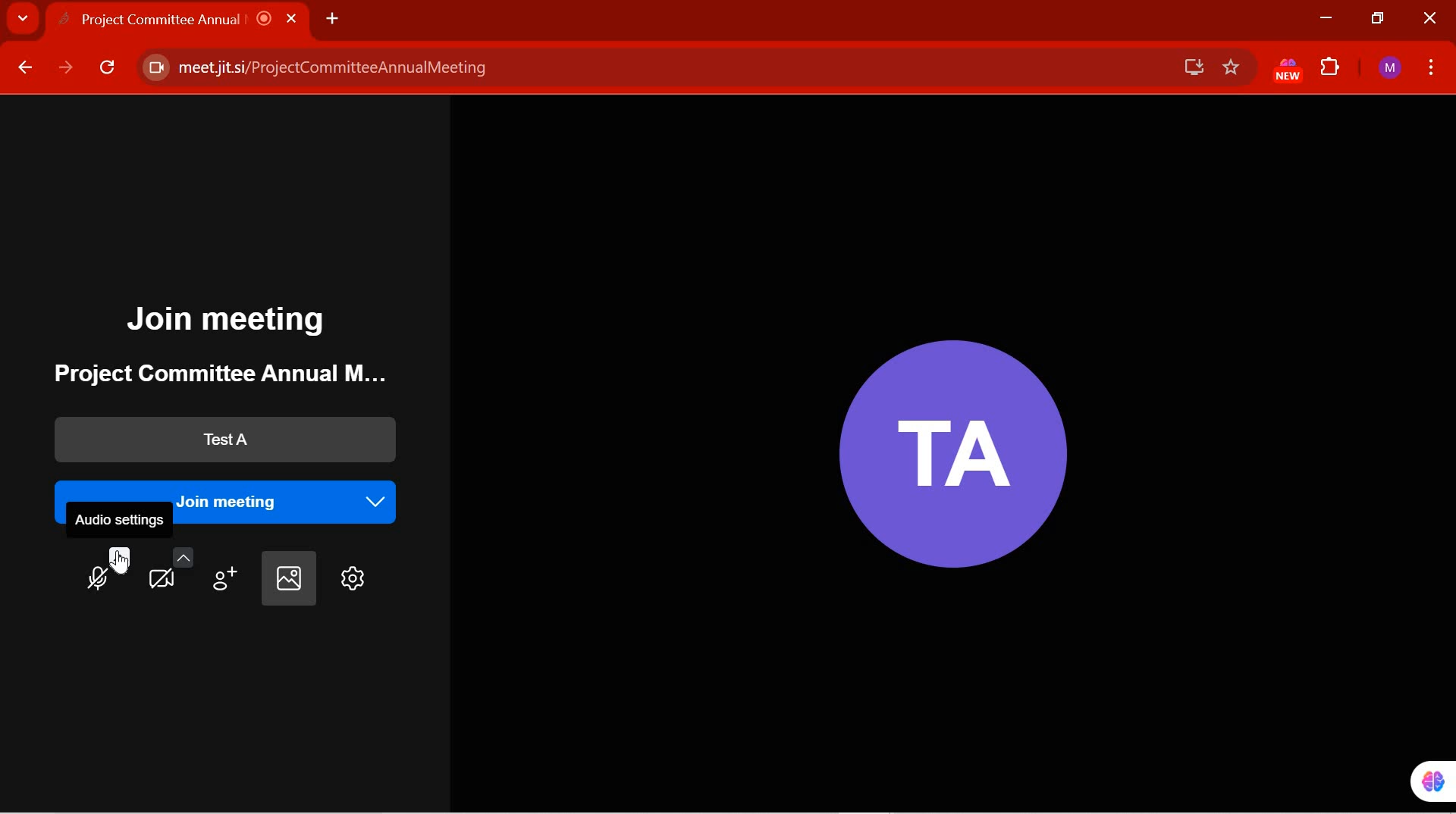 Image resolution: width=1456 pixels, height=814 pixels. Describe the element at coordinates (209, 374) in the screenshot. I see `Project Committee Annual M...` at that location.